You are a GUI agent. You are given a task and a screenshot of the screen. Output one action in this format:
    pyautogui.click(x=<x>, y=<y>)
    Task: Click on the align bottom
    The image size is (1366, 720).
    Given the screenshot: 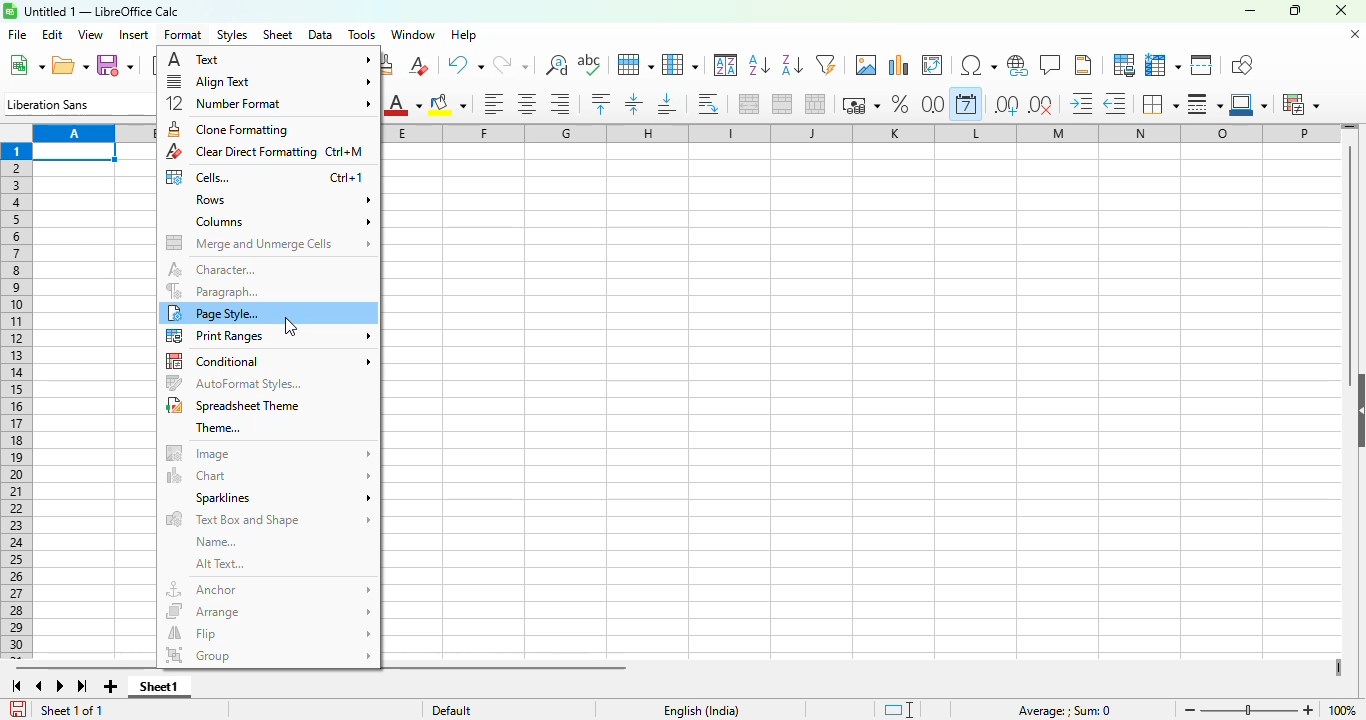 What is the action you would take?
    pyautogui.click(x=667, y=104)
    